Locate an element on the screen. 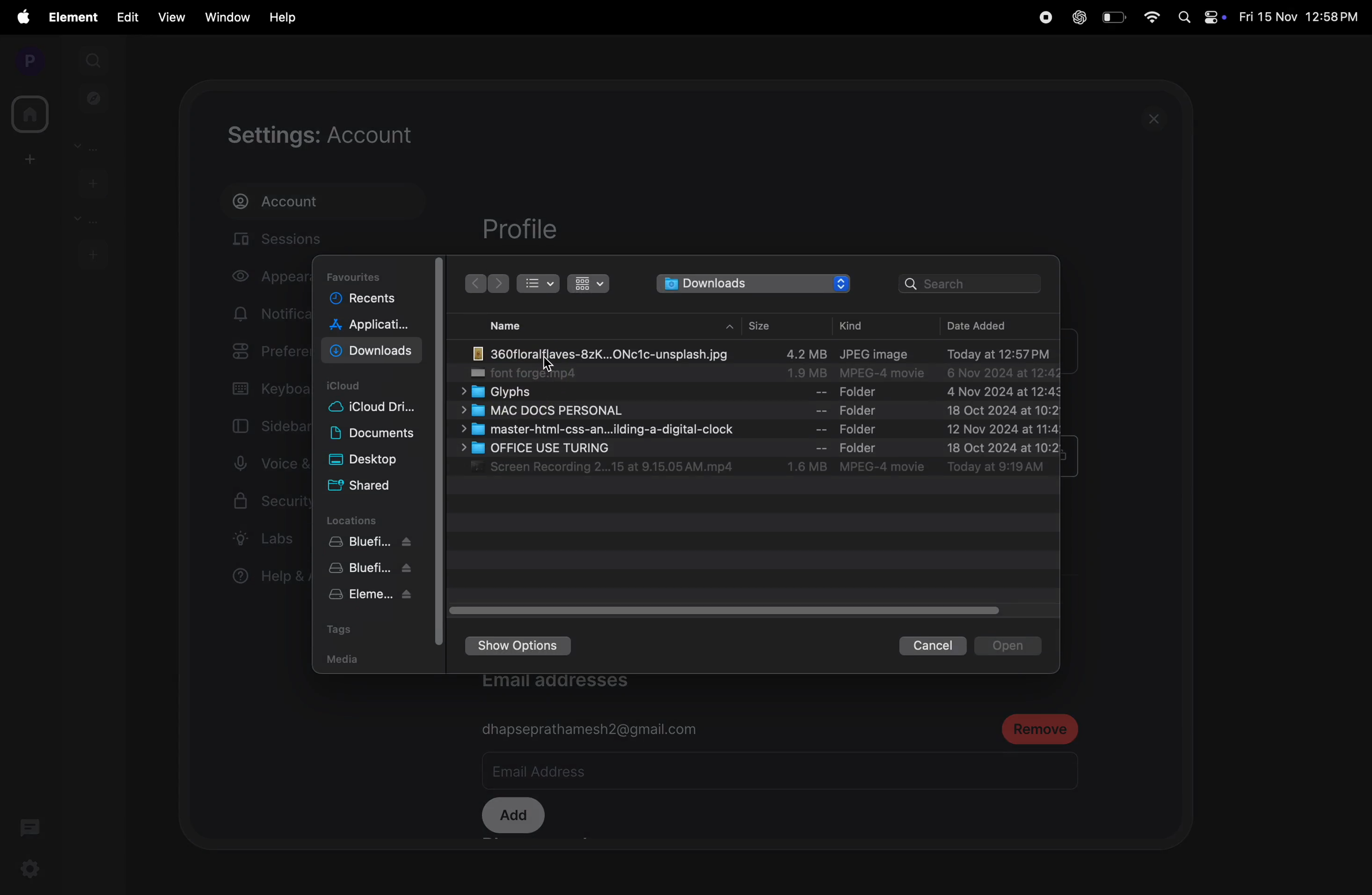 This screenshot has height=895, width=1372. threads is located at coordinates (31, 826).